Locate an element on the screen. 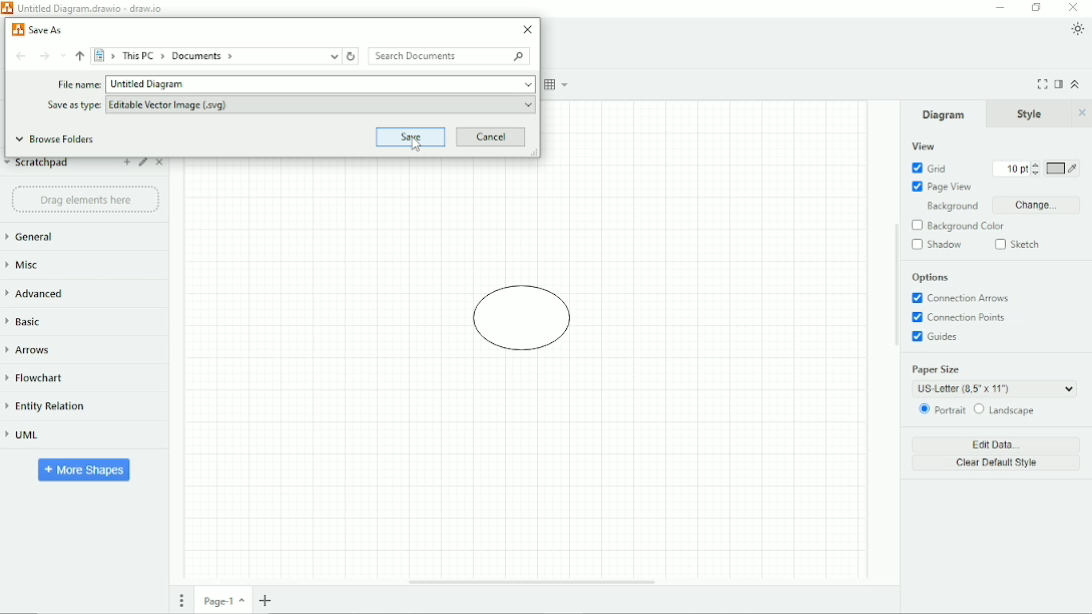 The height and width of the screenshot is (614, 1092). Cancel is located at coordinates (494, 138).